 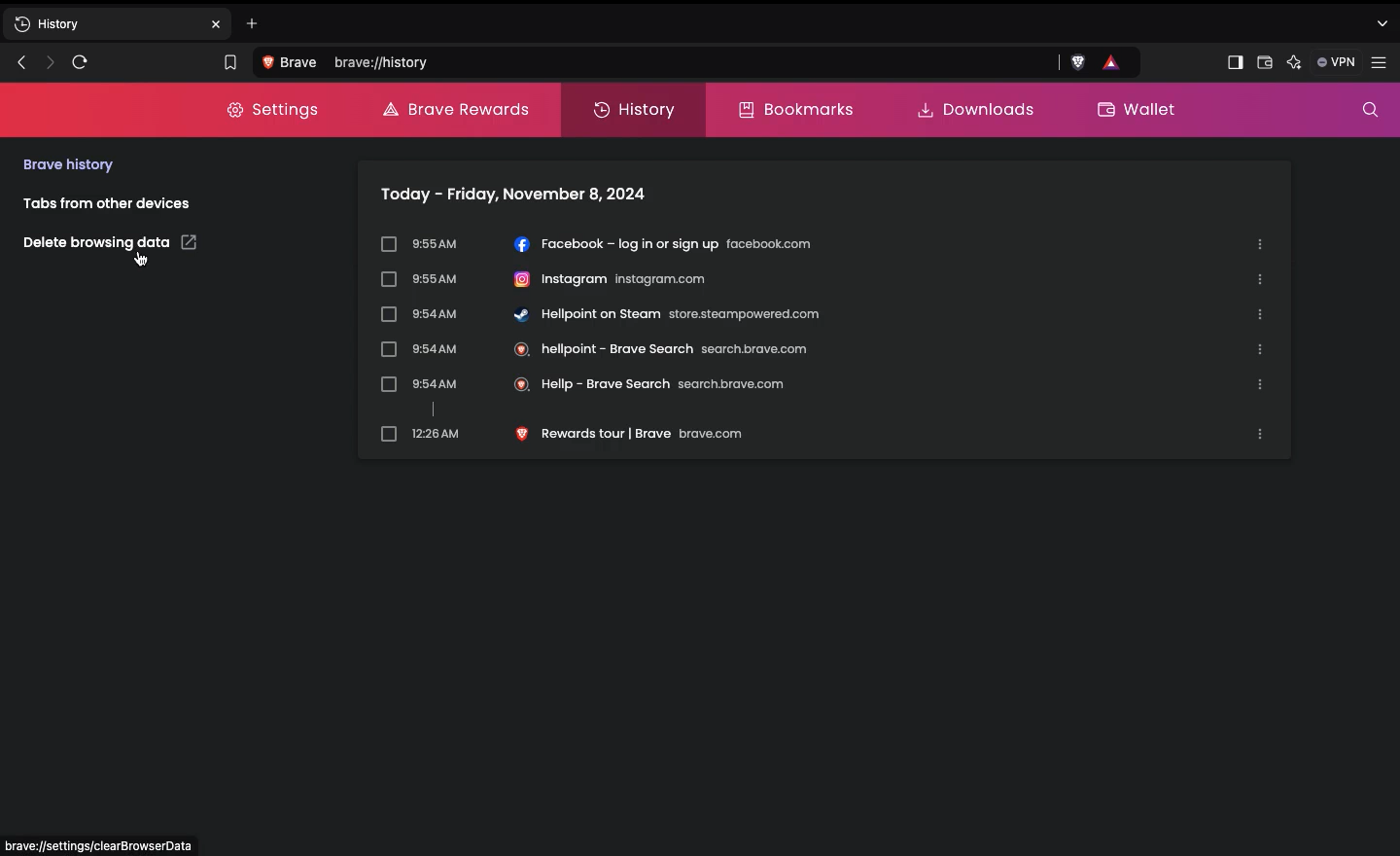 I want to click on AI, so click(x=1292, y=62).